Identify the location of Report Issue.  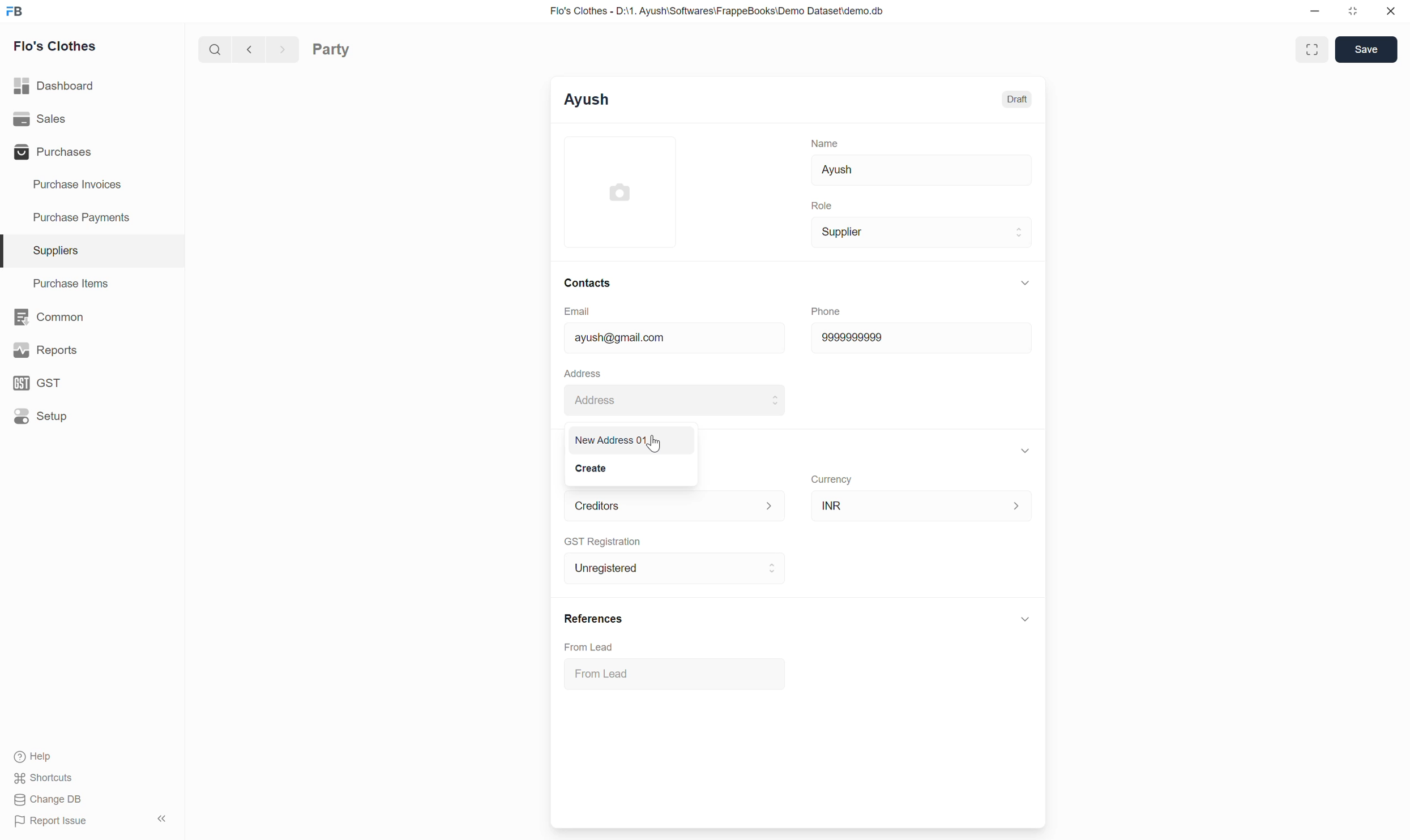
(53, 821).